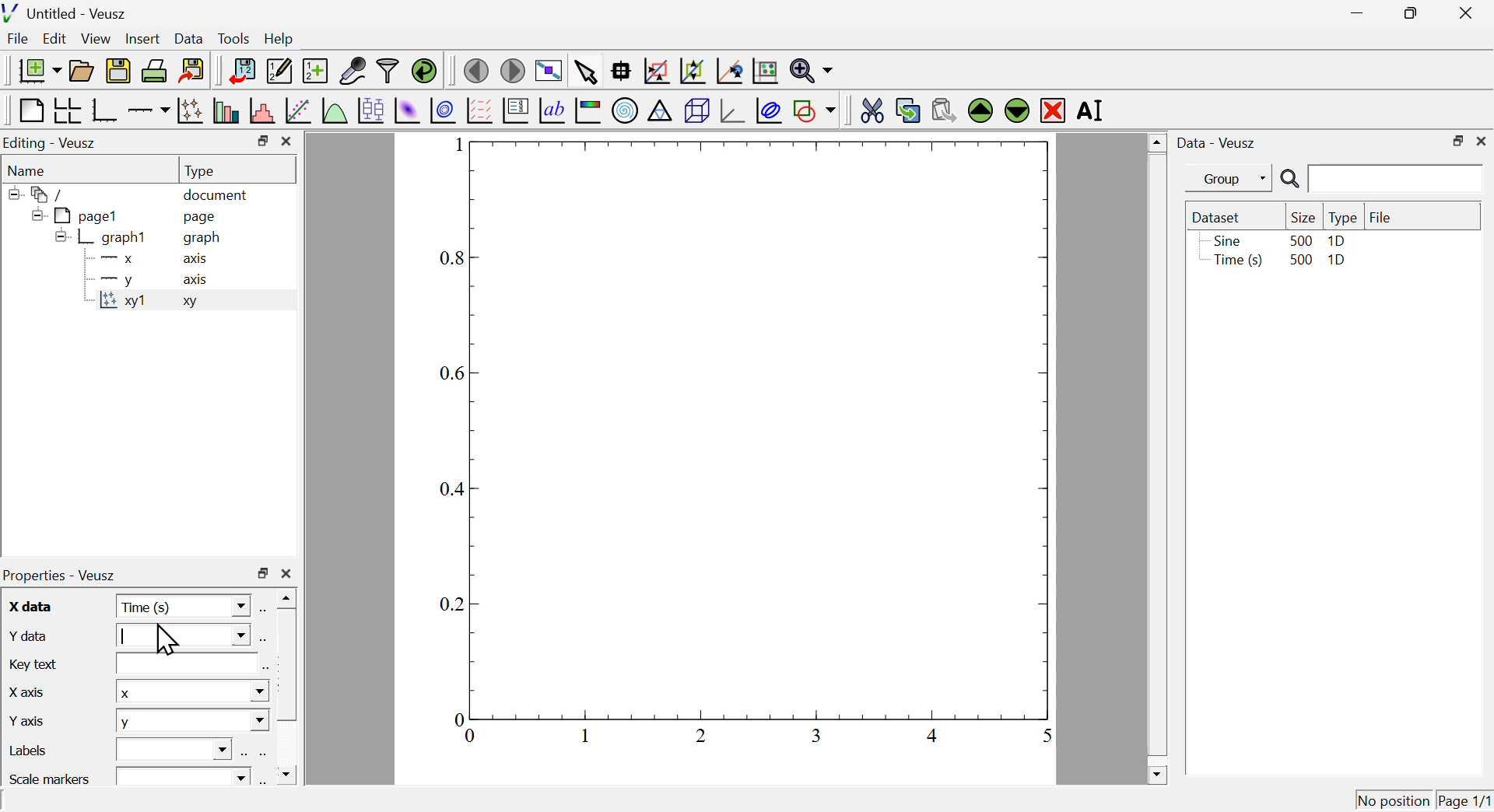 The height and width of the screenshot is (812, 1494). Describe the element at coordinates (105, 110) in the screenshot. I see `base graph` at that location.